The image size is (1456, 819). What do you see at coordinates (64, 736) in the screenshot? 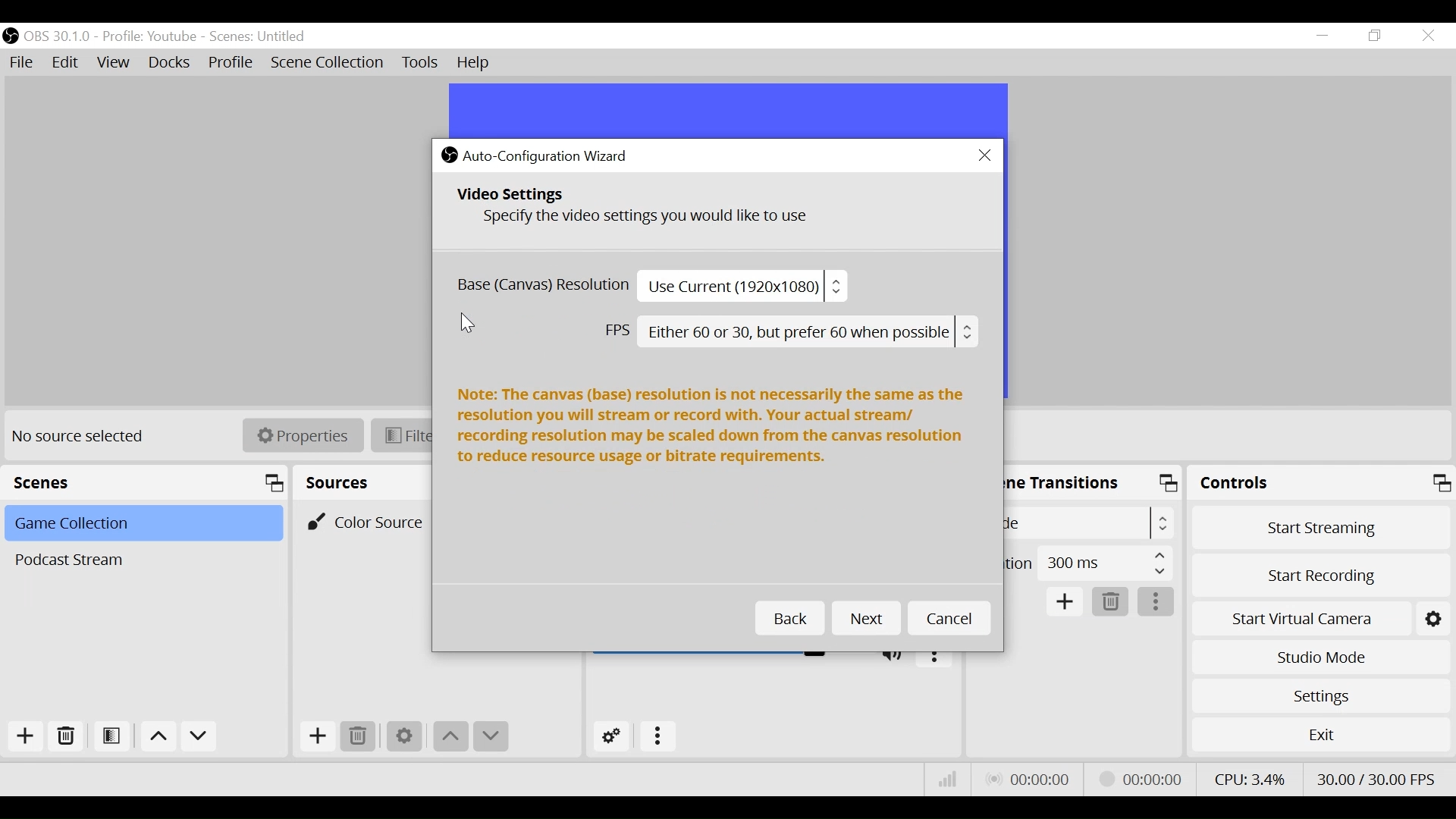
I see `Remove` at bounding box center [64, 736].